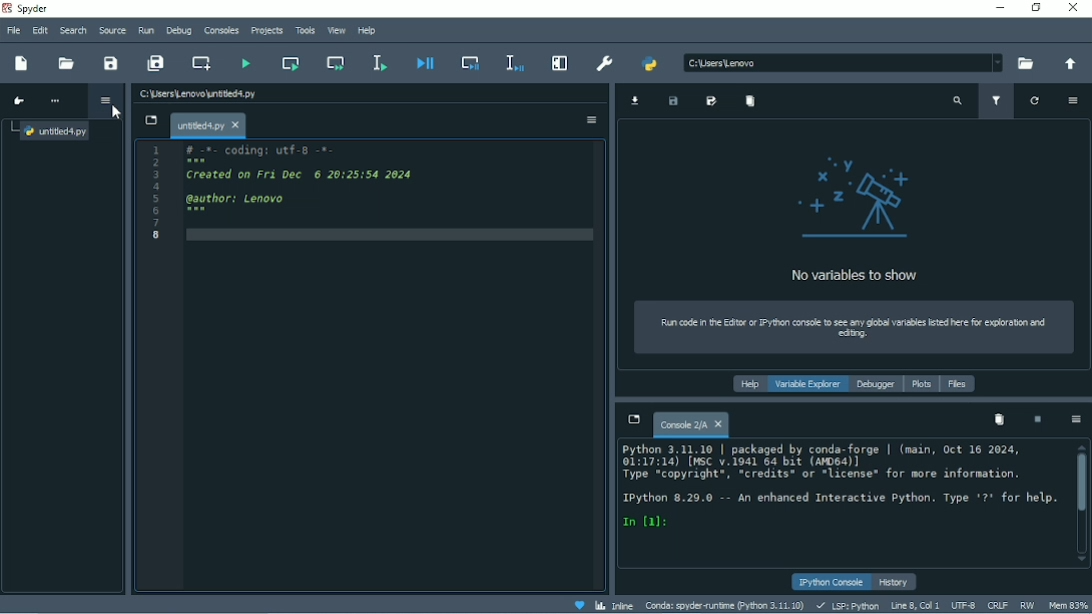 The height and width of the screenshot is (614, 1092). What do you see at coordinates (841, 490) in the screenshot?
I see `Python 3.11.10 | packaged by conda-forge | (main, Oct 16 2024,
01:17:14) (WSC v.1941 64 bat (WD64)]

Type “copyright®., “credits* or *license® for wore information.
Ipython 8.29.0 —- An enhanced Interactive Python. Type *7* for help.
In (a):` at bounding box center [841, 490].